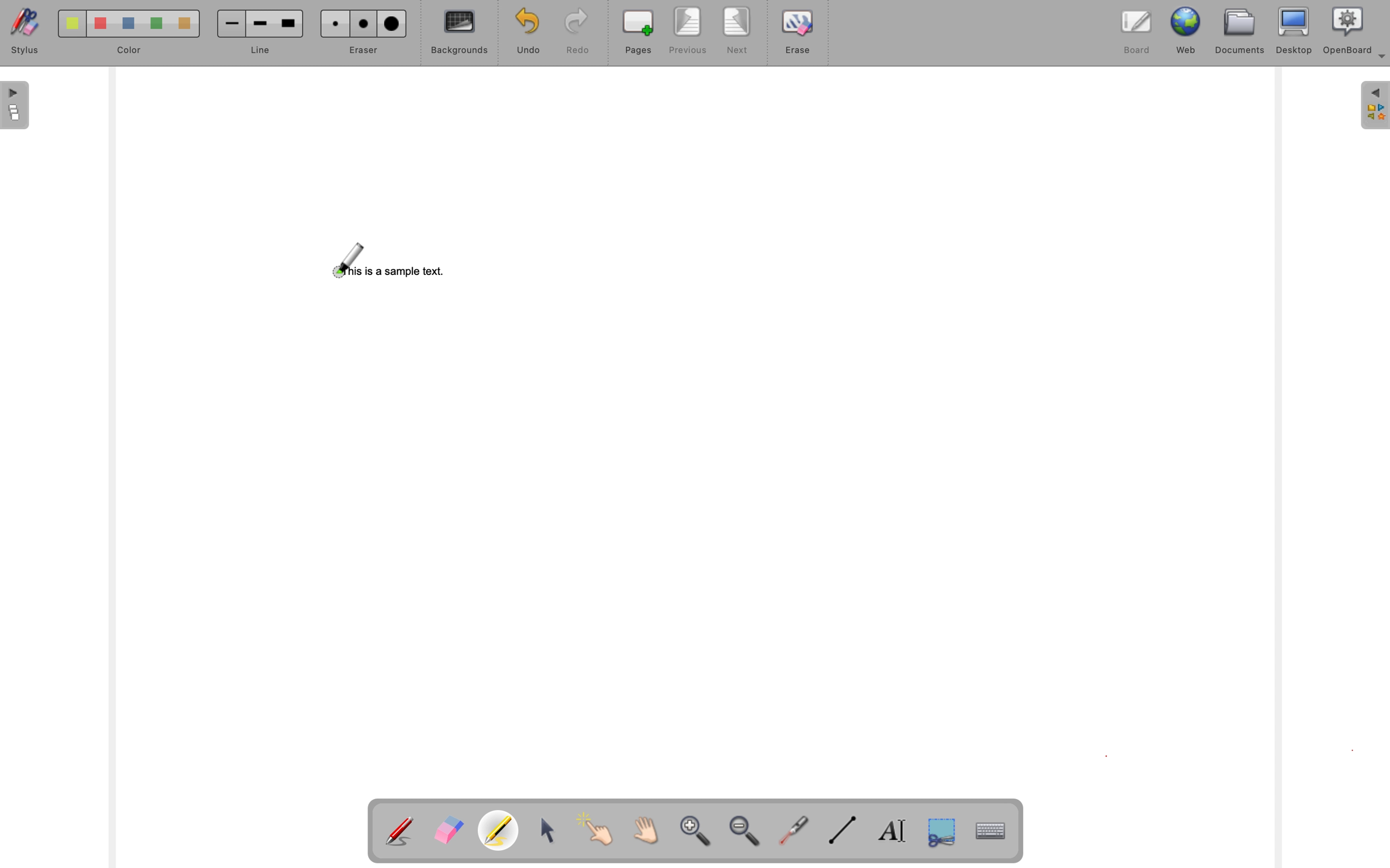  What do you see at coordinates (1136, 32) in the screenshot?
I see `board` at bounding box center [1136, 32].